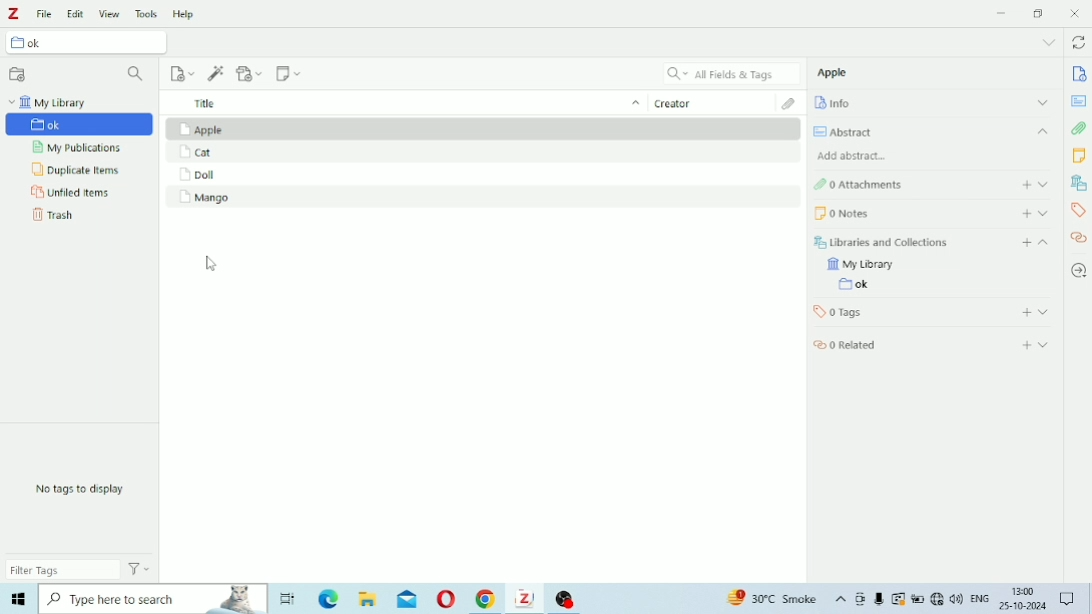 The image size is (1092, 614). I want to click on Locate, so click(1079, 271).